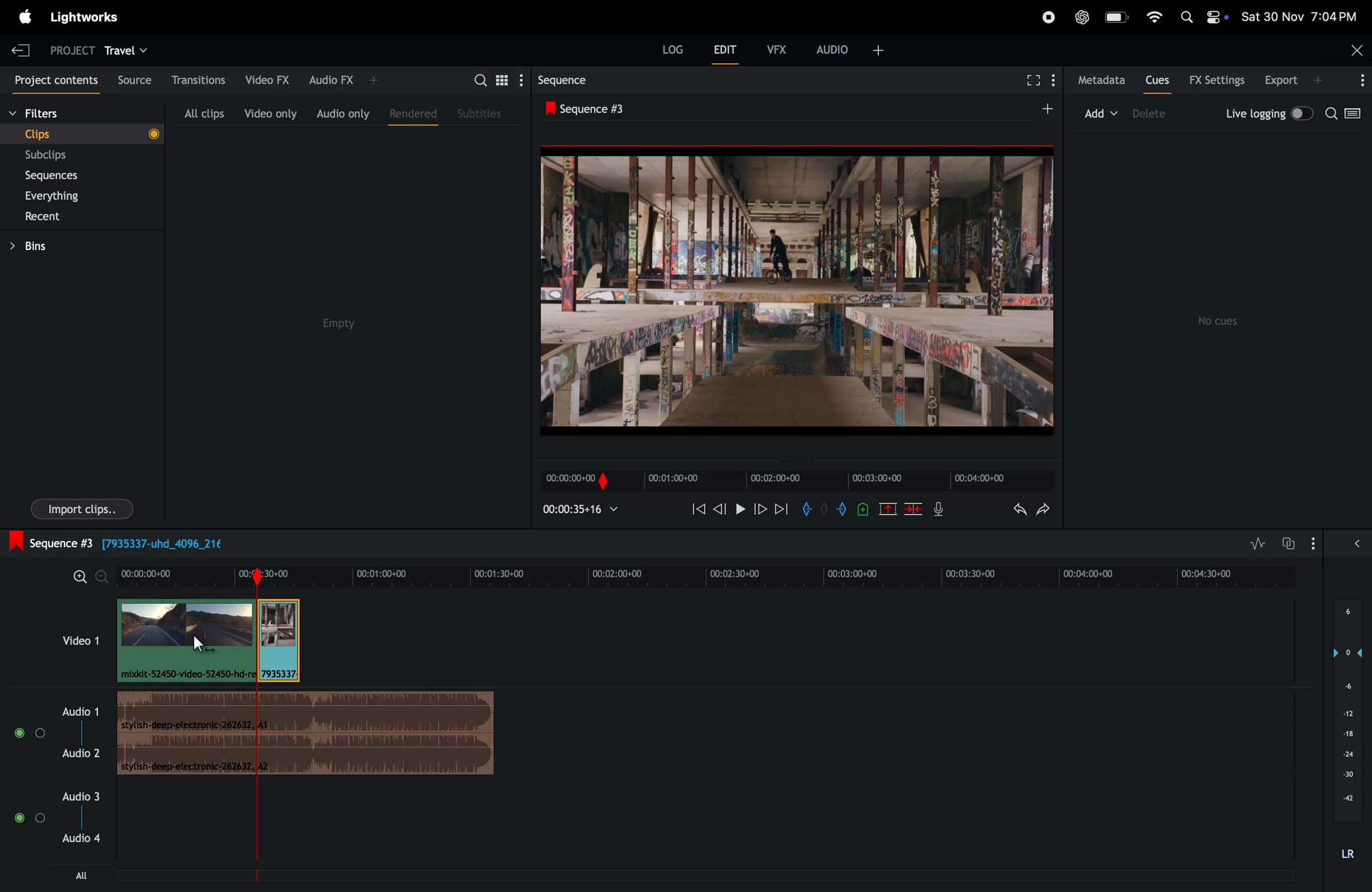 This screenshot has width=1372, height=892. What do you see at coordinates (1254, 544) in the screenshot?
I see `toggle audio editing levels` at bounding box center [1254, 544].